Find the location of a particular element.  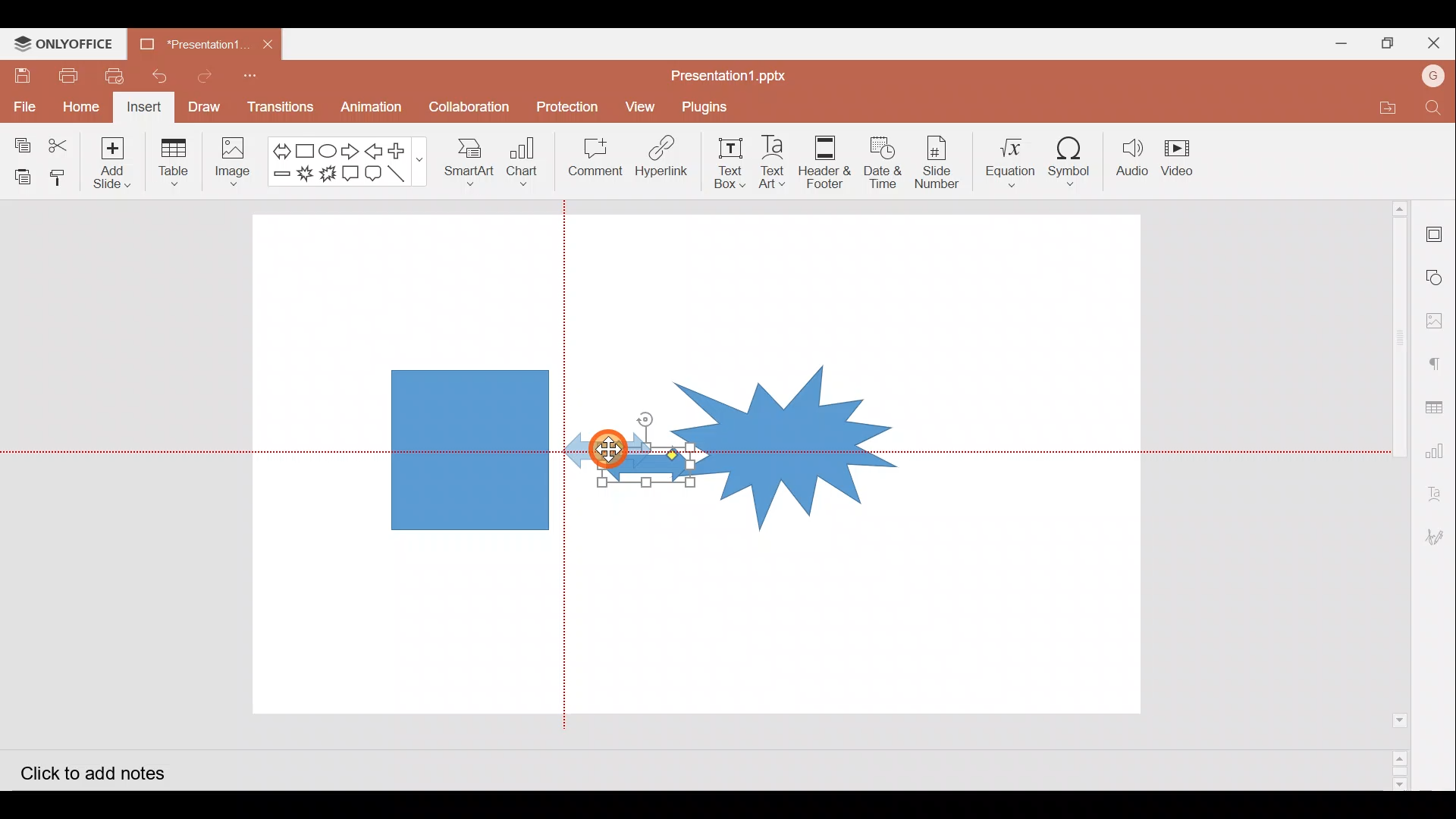

Presentation1.pptx is located at coordinates (725, 73).